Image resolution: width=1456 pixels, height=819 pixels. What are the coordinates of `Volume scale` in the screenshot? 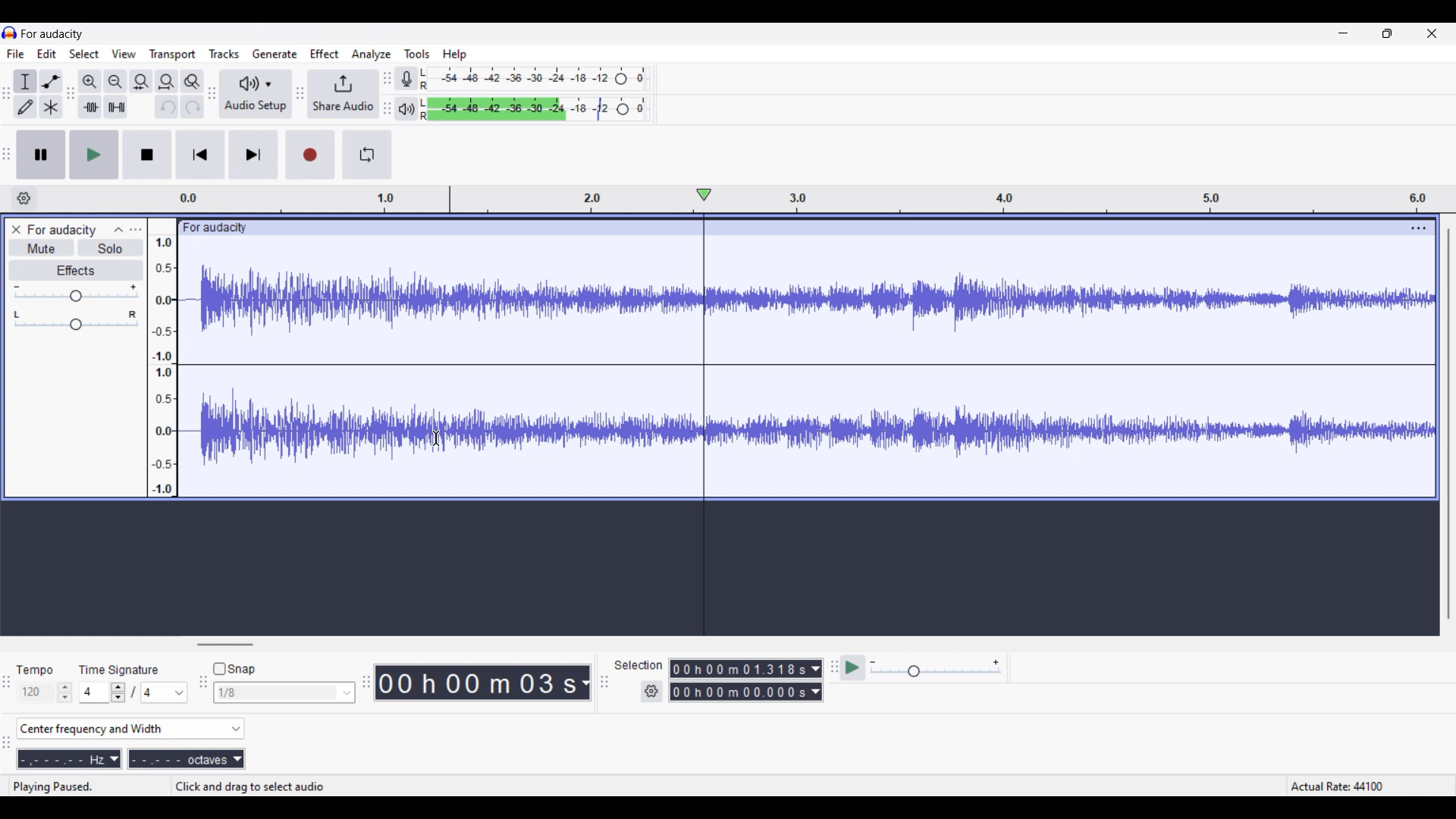 It's located at (75, 293).